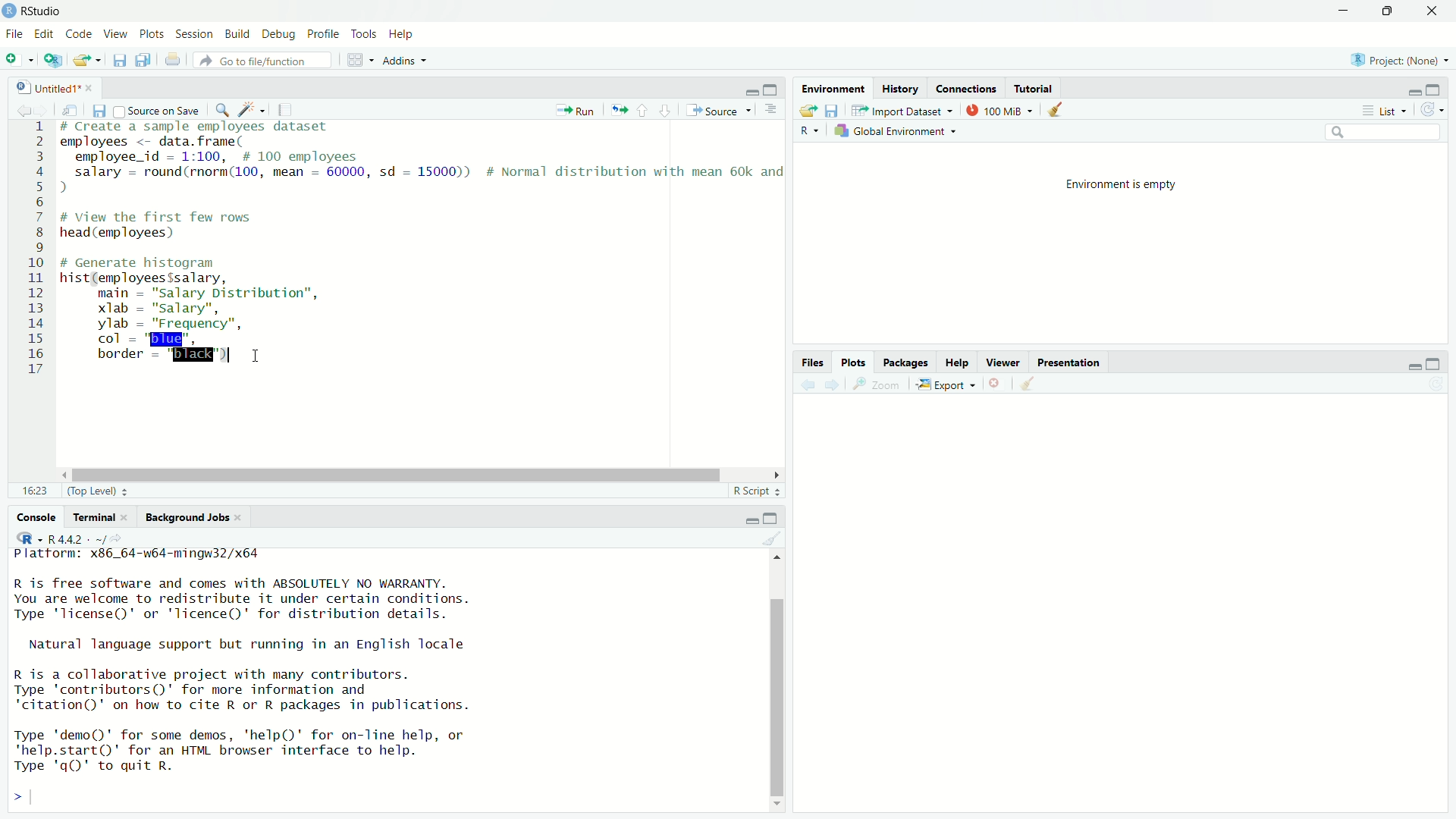 This screenshot has height=819, width=1456. What do you see at coordinates (666, 109) in the screenshot?
I see `down` at bounding box center [666, 109].